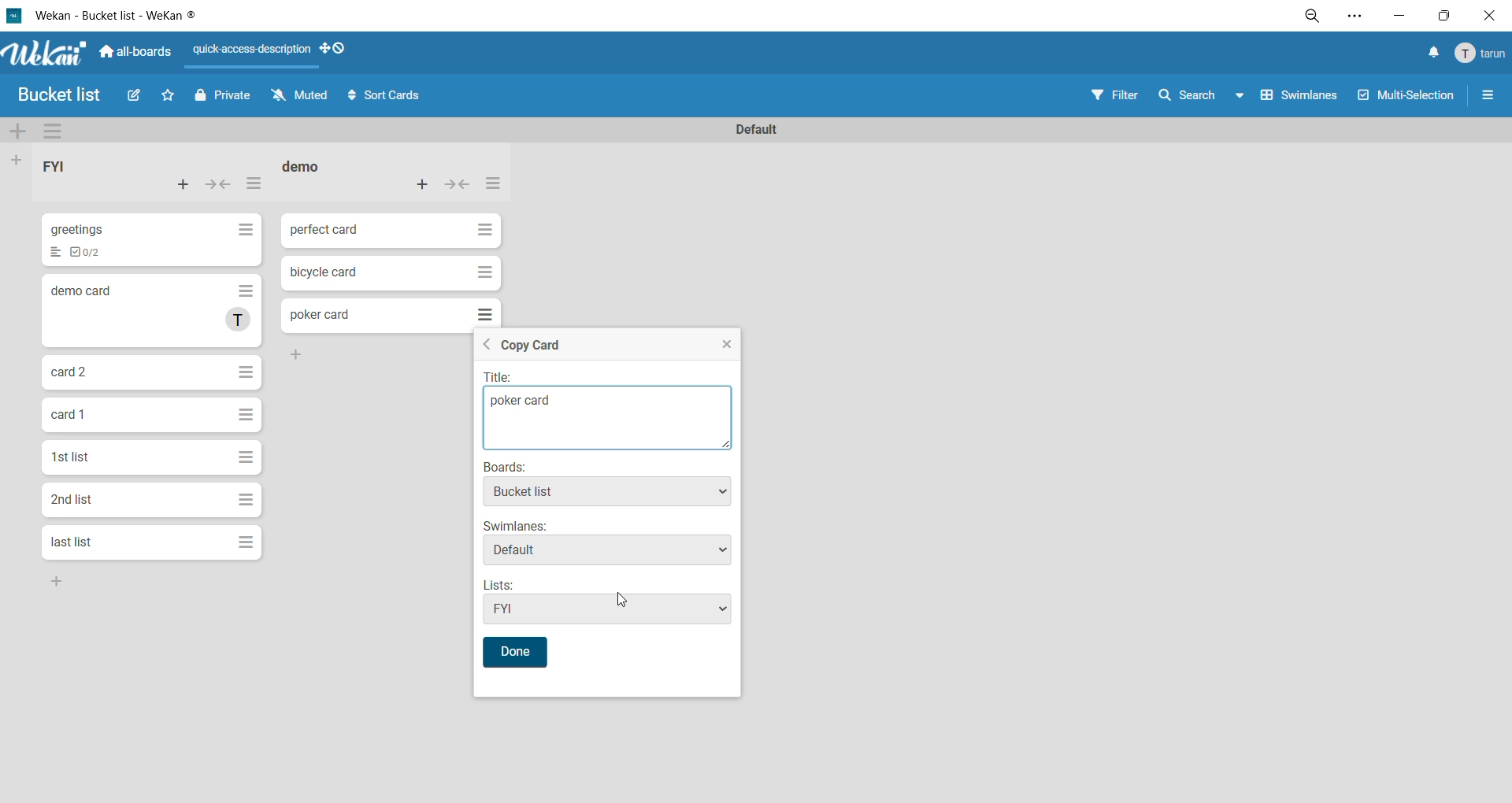 This screenshot has width=1512, height=803. What do you see at coordinates (516, 525) in the screenshot?
I see `Swimlanes:` at bounding box center [516, 525].